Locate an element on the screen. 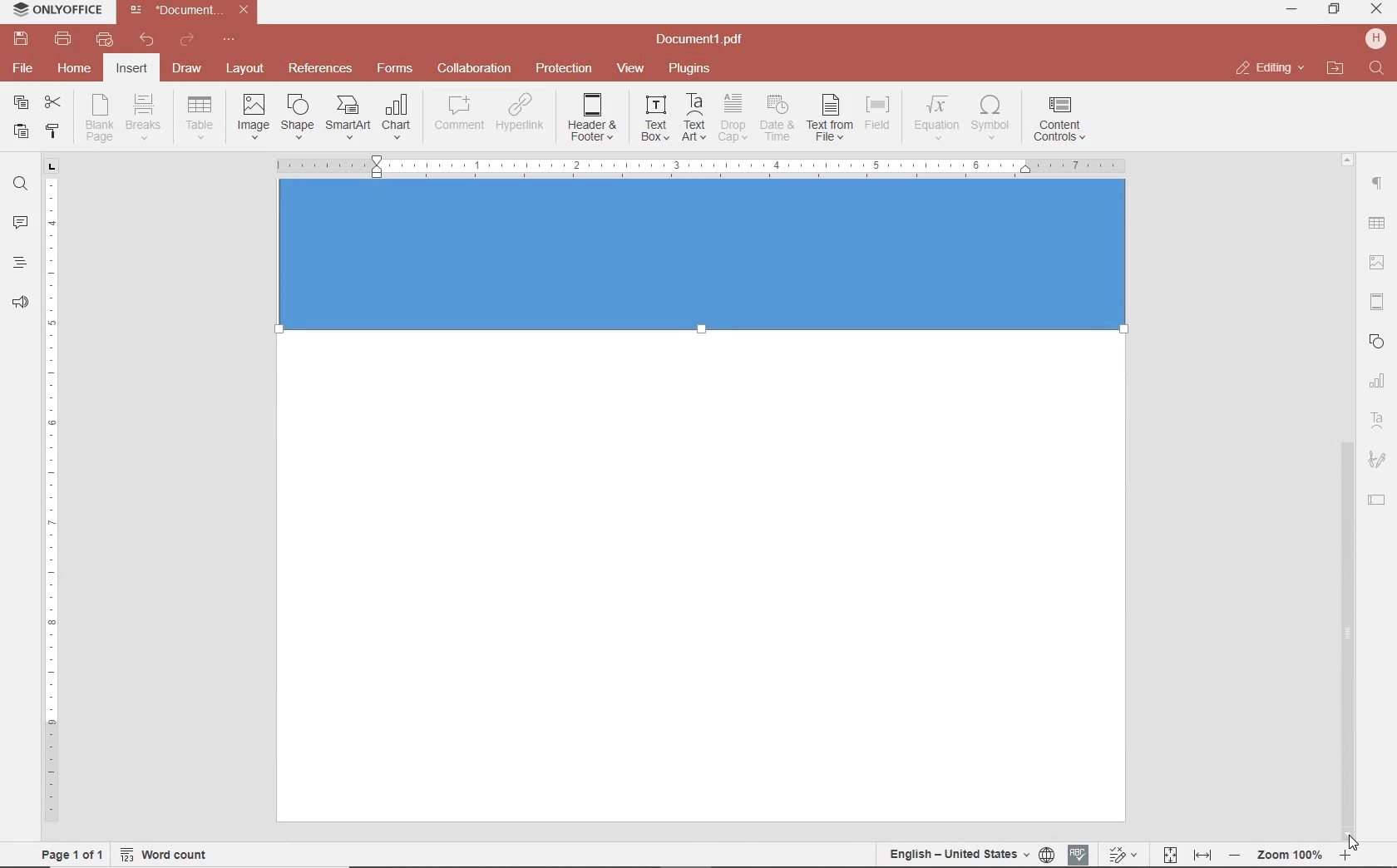  TEXT FIELD is located at coordinates (1377, 499).